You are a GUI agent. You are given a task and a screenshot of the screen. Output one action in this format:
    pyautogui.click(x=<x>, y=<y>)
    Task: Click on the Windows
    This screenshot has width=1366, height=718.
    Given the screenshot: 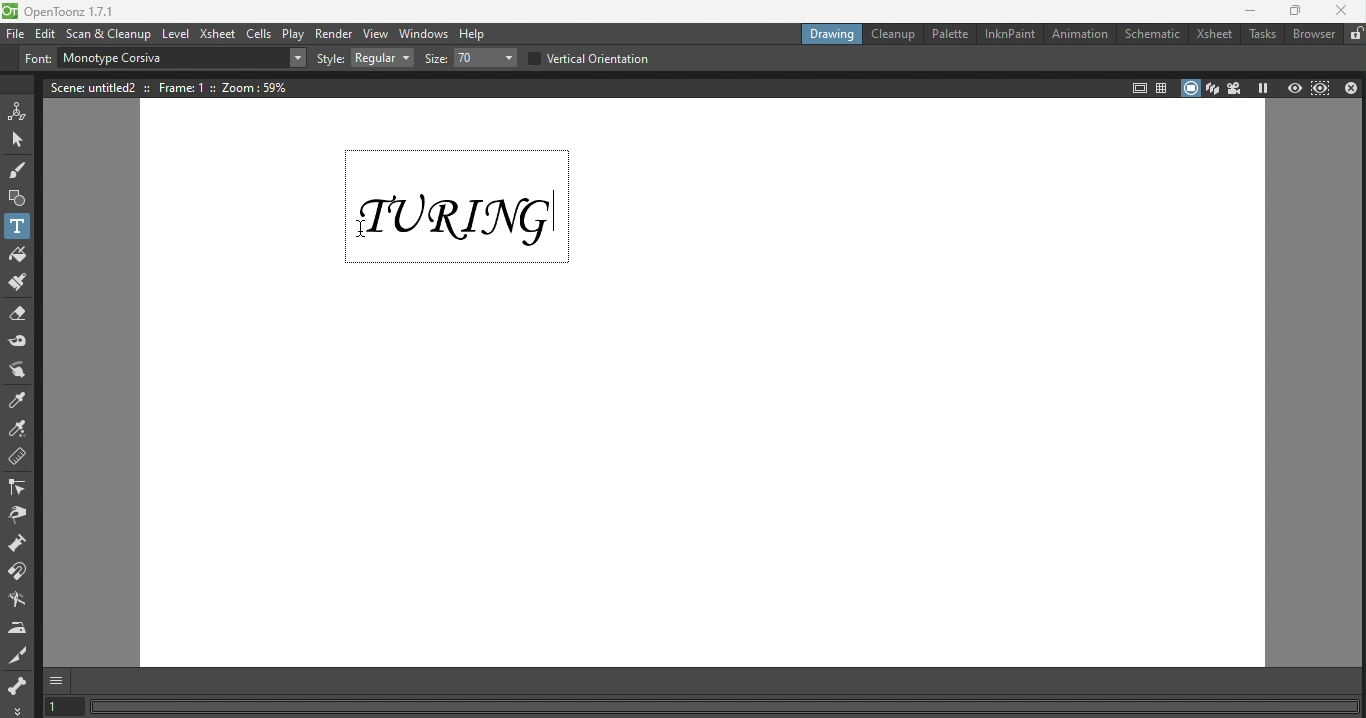 What is the action you would take?
    pyautogui.click(x=426, y=31)
    